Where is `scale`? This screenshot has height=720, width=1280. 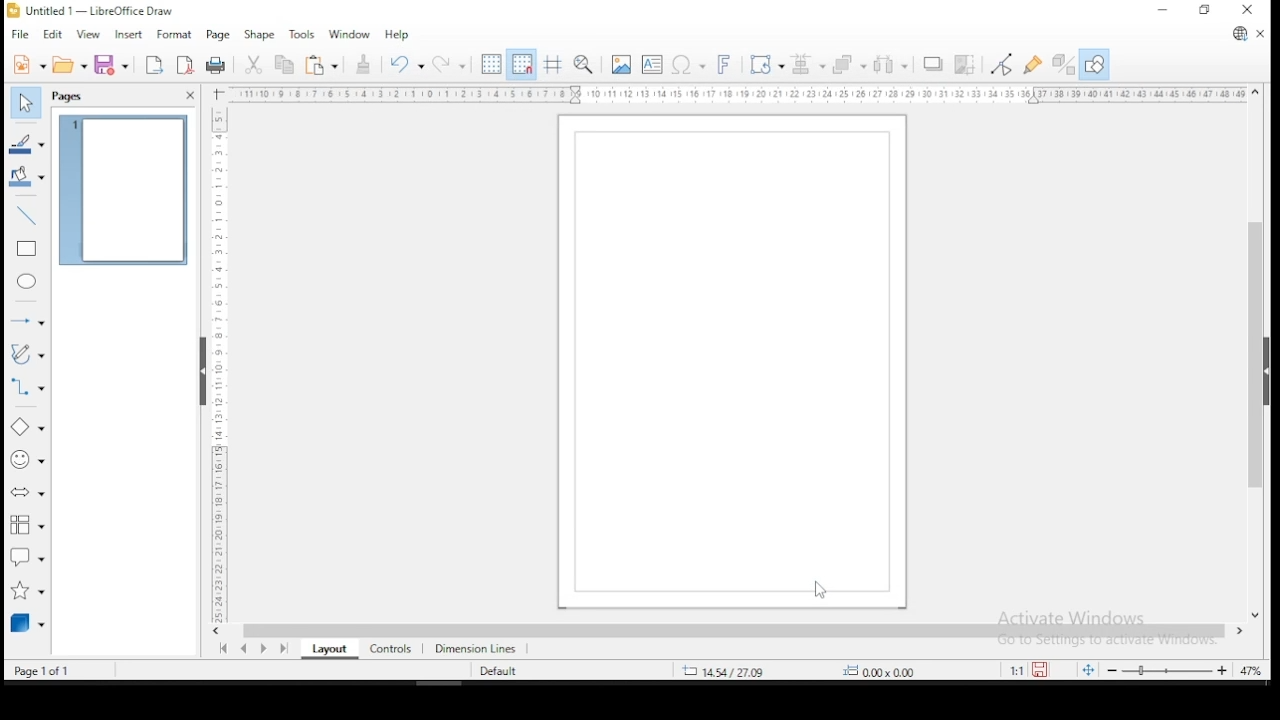 scale is located at coordinates (219, 364).